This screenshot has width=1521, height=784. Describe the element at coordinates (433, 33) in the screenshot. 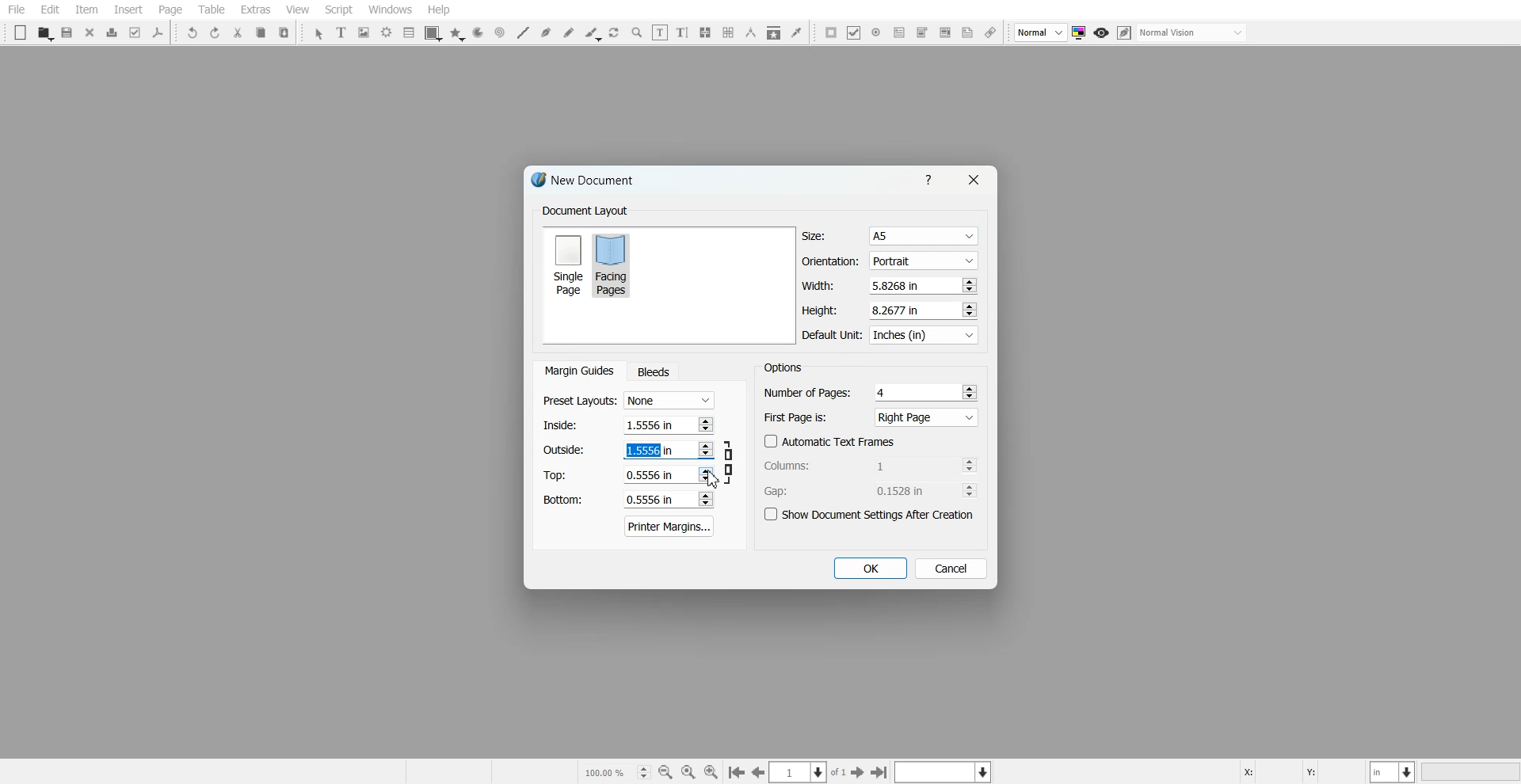

I see `Shape` at that location.